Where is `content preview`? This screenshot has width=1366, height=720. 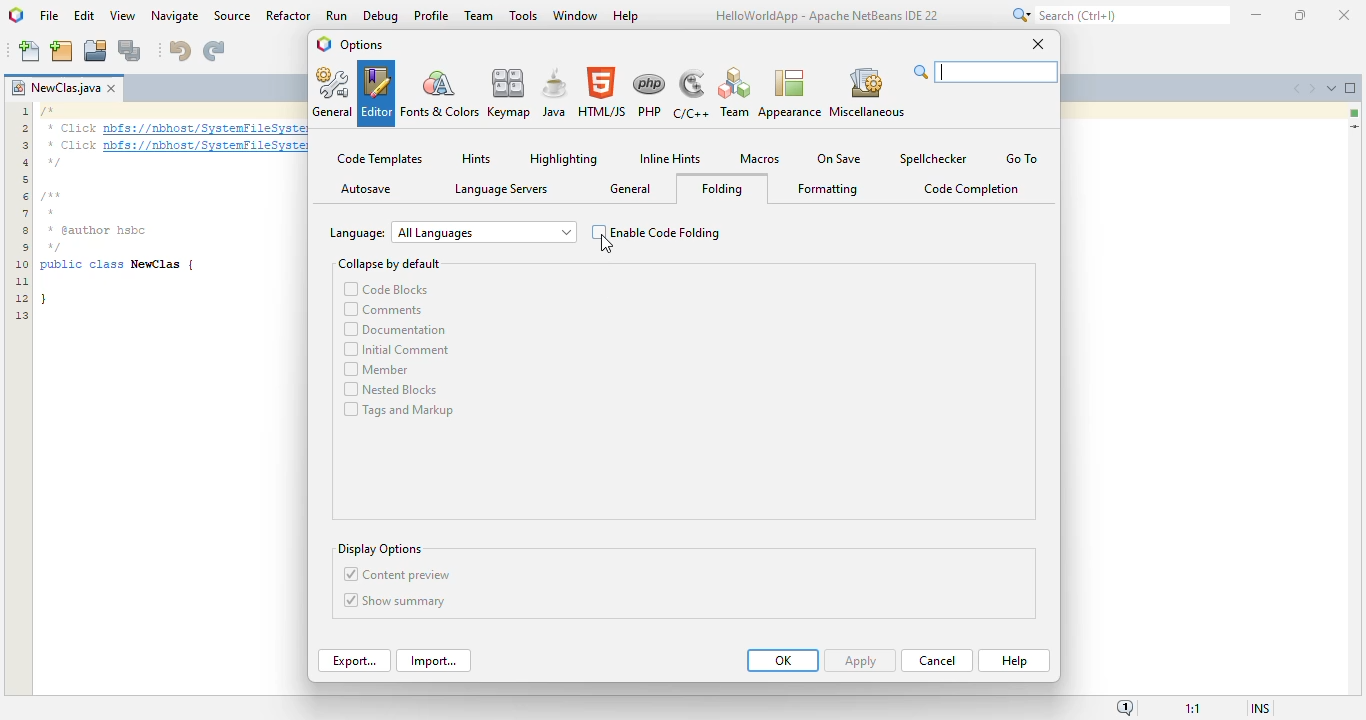
content preview is located at coordinates (408, 574).